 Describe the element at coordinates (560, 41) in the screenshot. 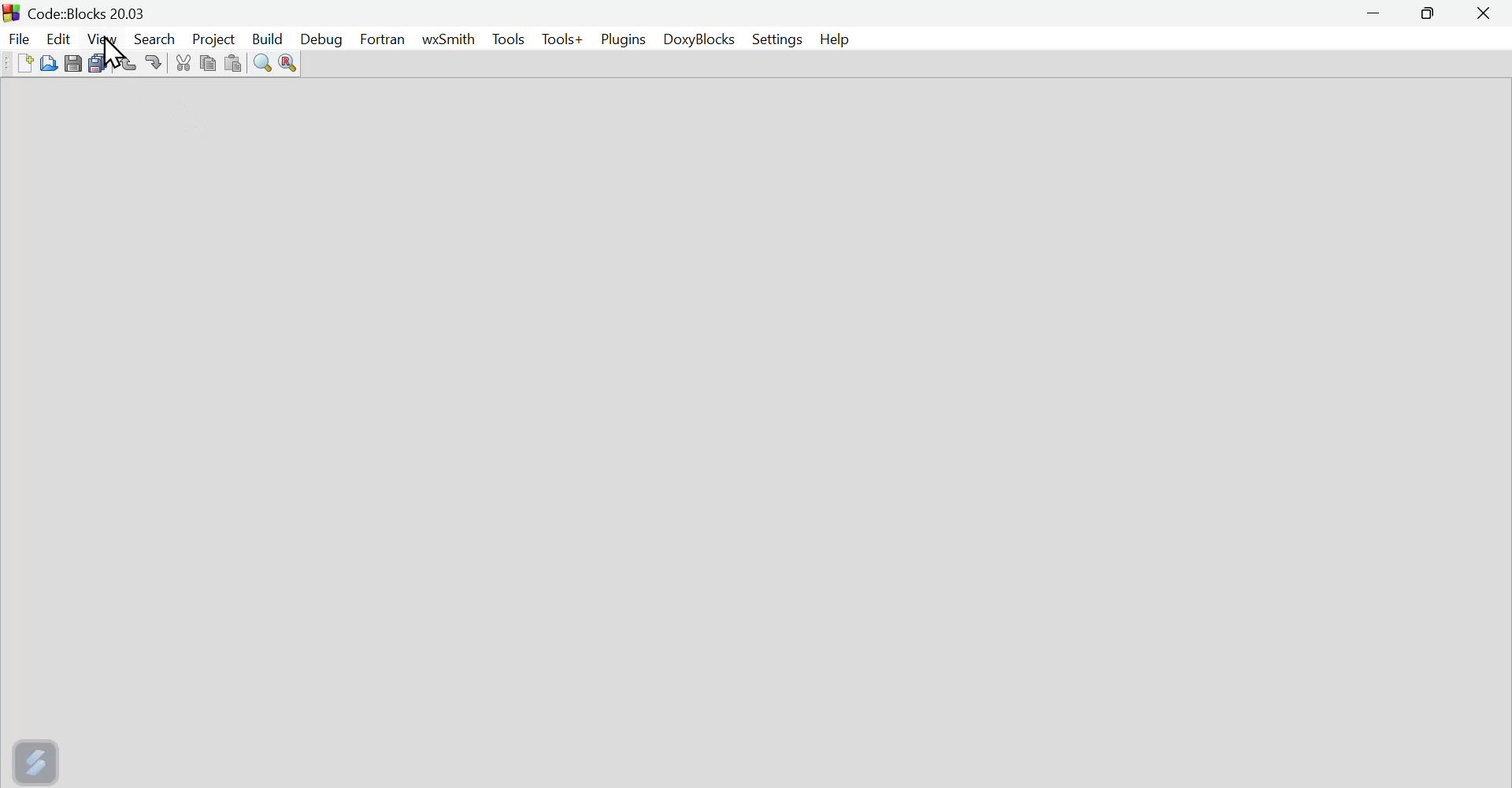

I see `Tools+` at that location.